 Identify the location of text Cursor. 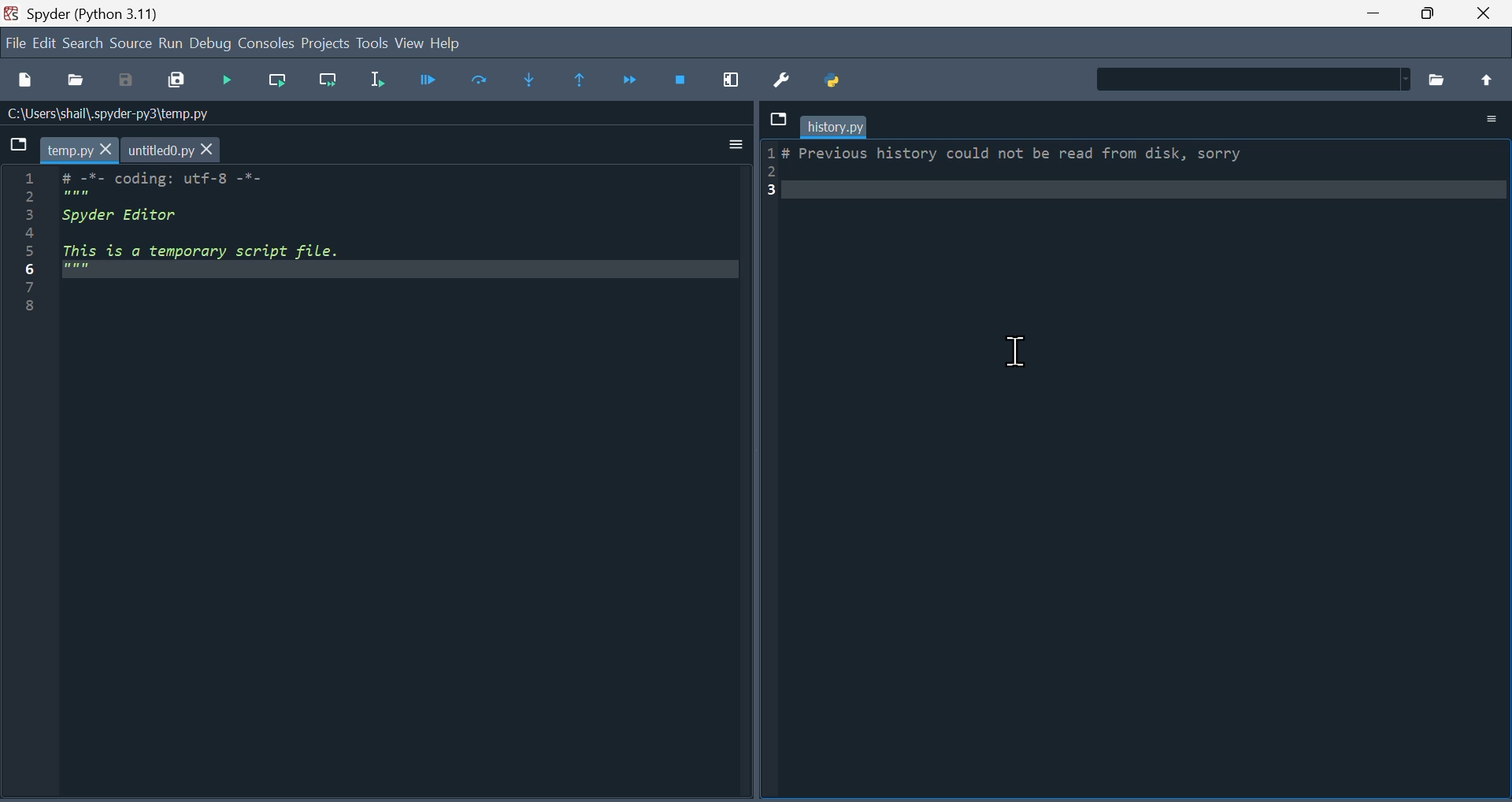
(1016, 351).